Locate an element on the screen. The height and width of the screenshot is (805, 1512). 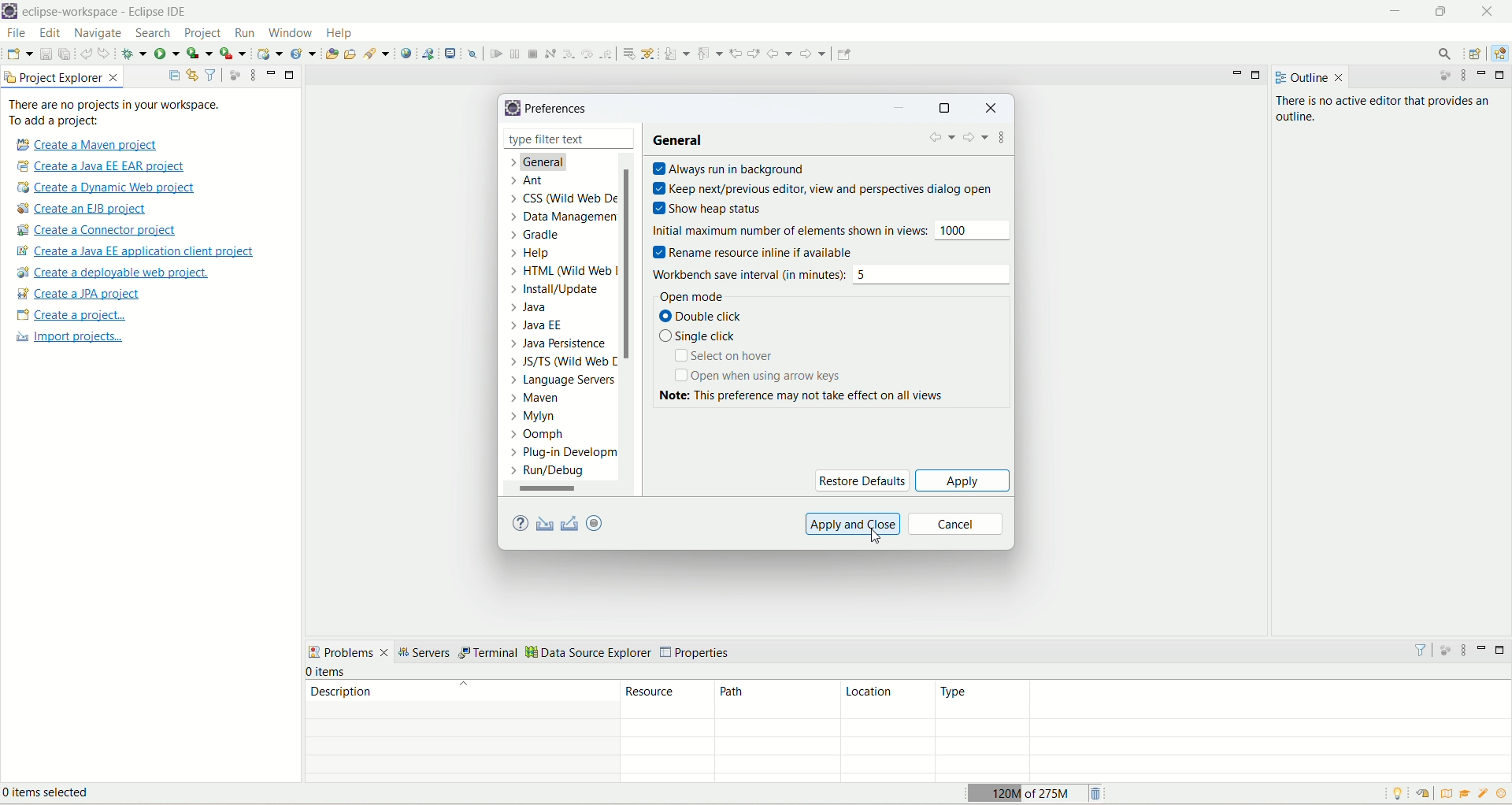
create a Java EE application client project is located at coordinates (135, 253).